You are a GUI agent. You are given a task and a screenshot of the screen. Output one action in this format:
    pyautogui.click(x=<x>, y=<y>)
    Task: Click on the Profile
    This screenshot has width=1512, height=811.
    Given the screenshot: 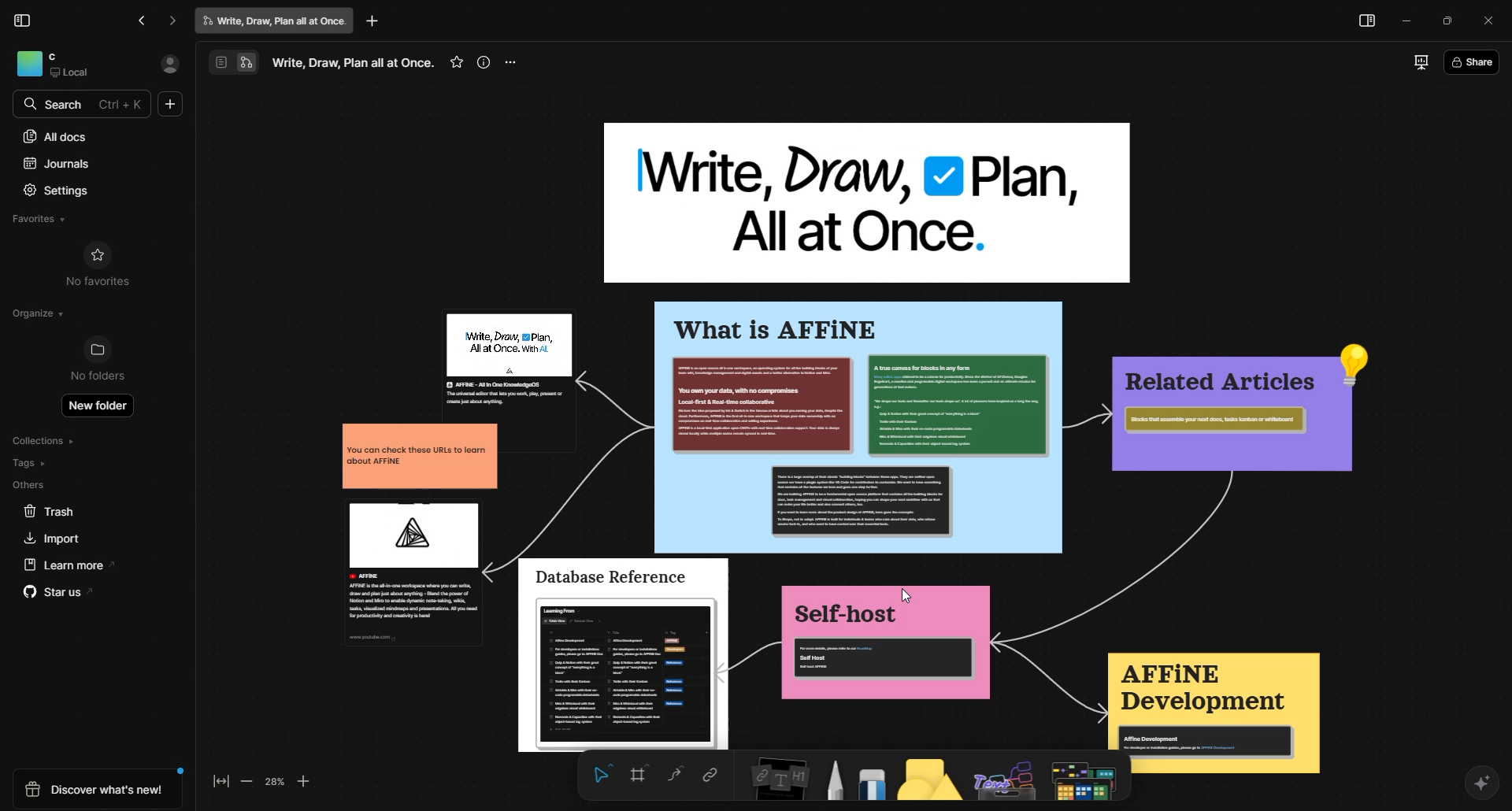 What is the action you would take?
    pyautogui.click(x=169, y=65)
    